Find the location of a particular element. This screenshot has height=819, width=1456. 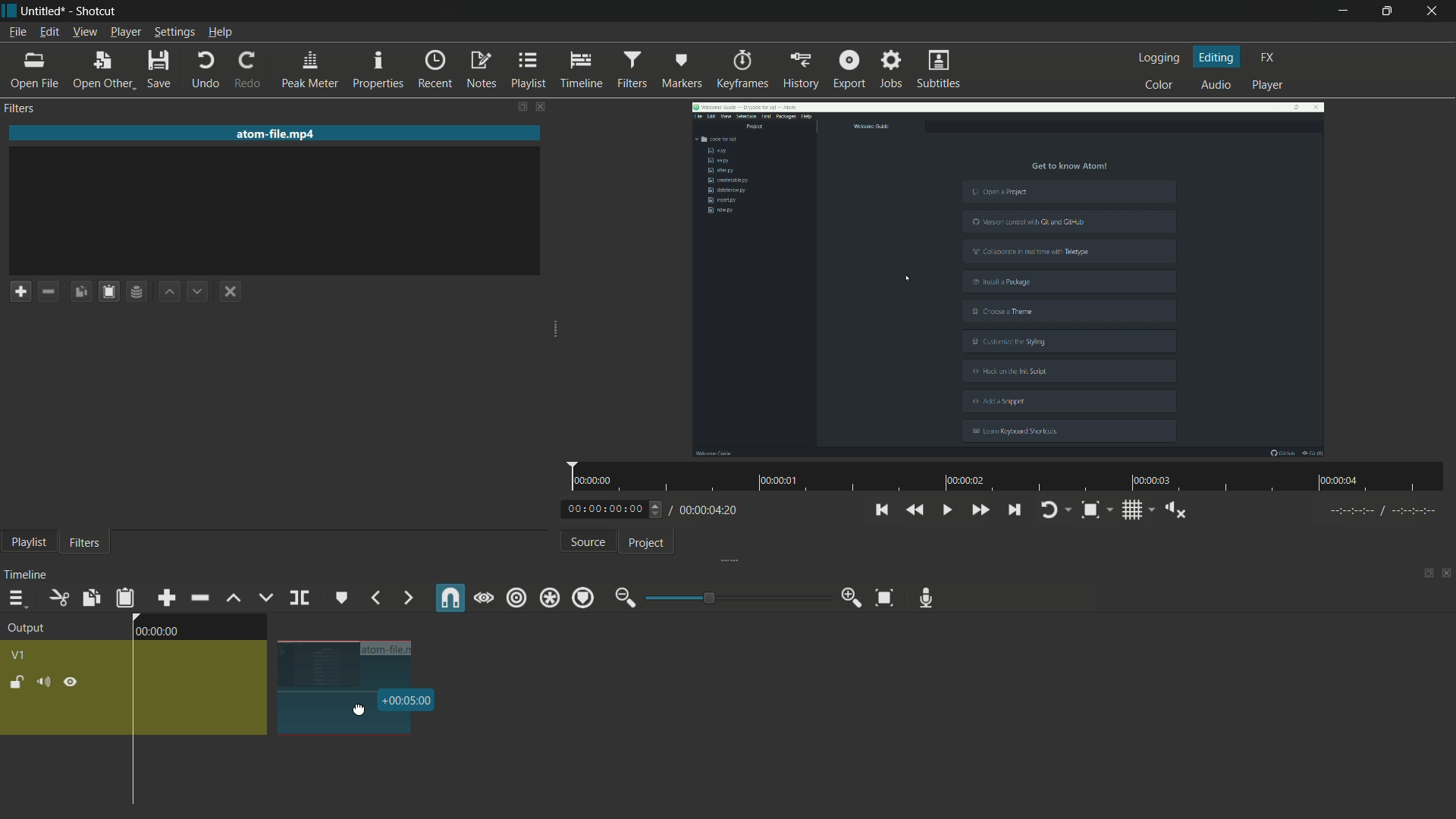

paste is located at coordinates (80, 291).